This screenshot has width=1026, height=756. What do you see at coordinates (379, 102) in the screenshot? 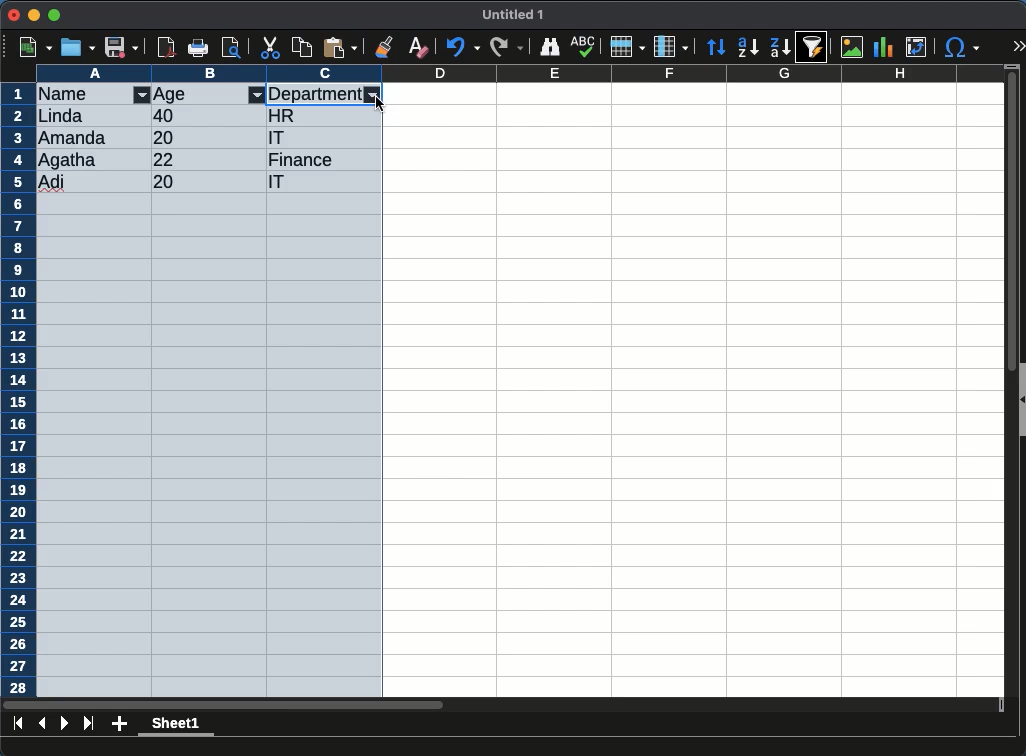
I see `cursor` at bounding box center [379, 102].